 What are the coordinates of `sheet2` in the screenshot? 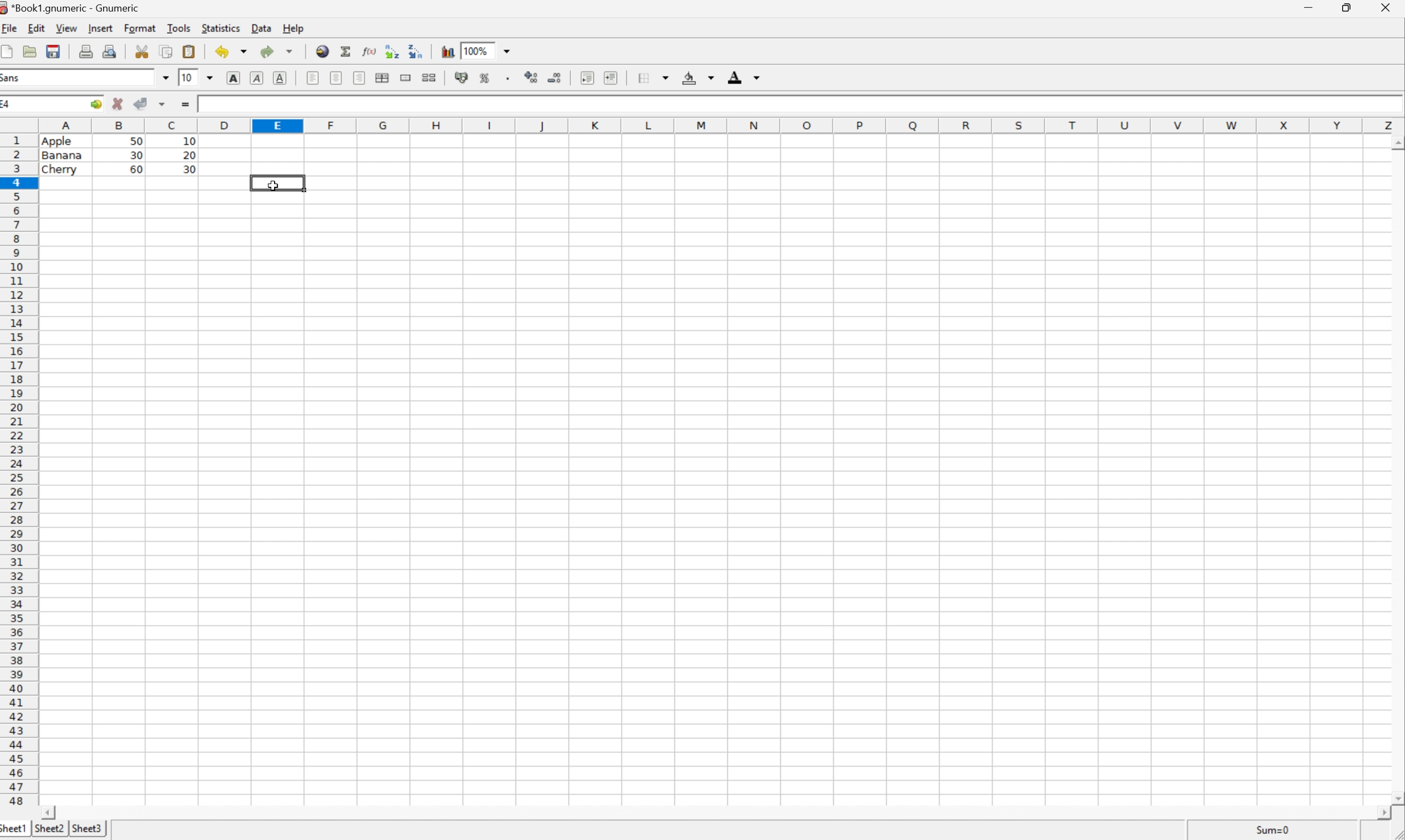 It's located at (49, 828).